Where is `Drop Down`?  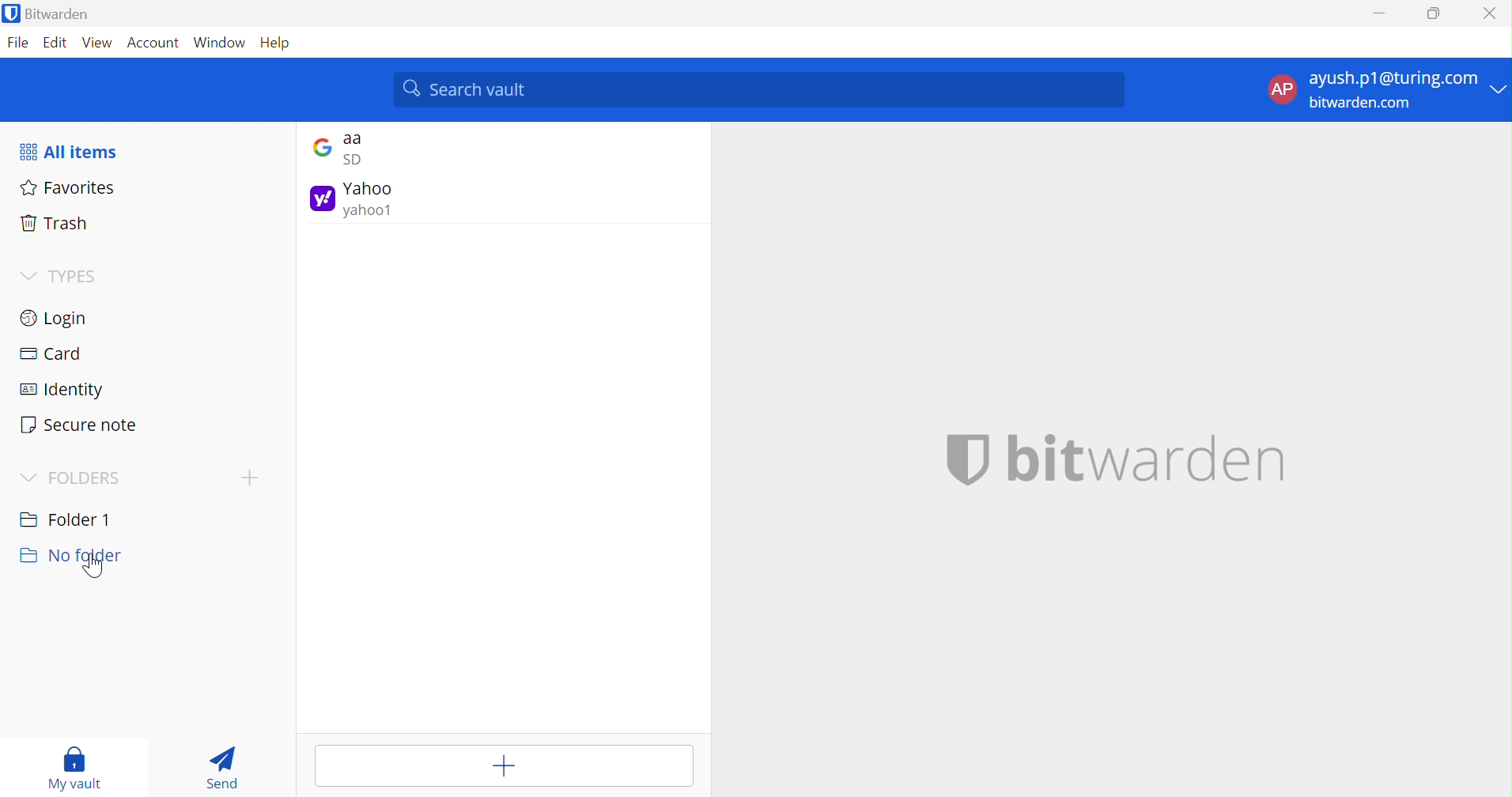
Drop Down is located at coordinates (27, 478).